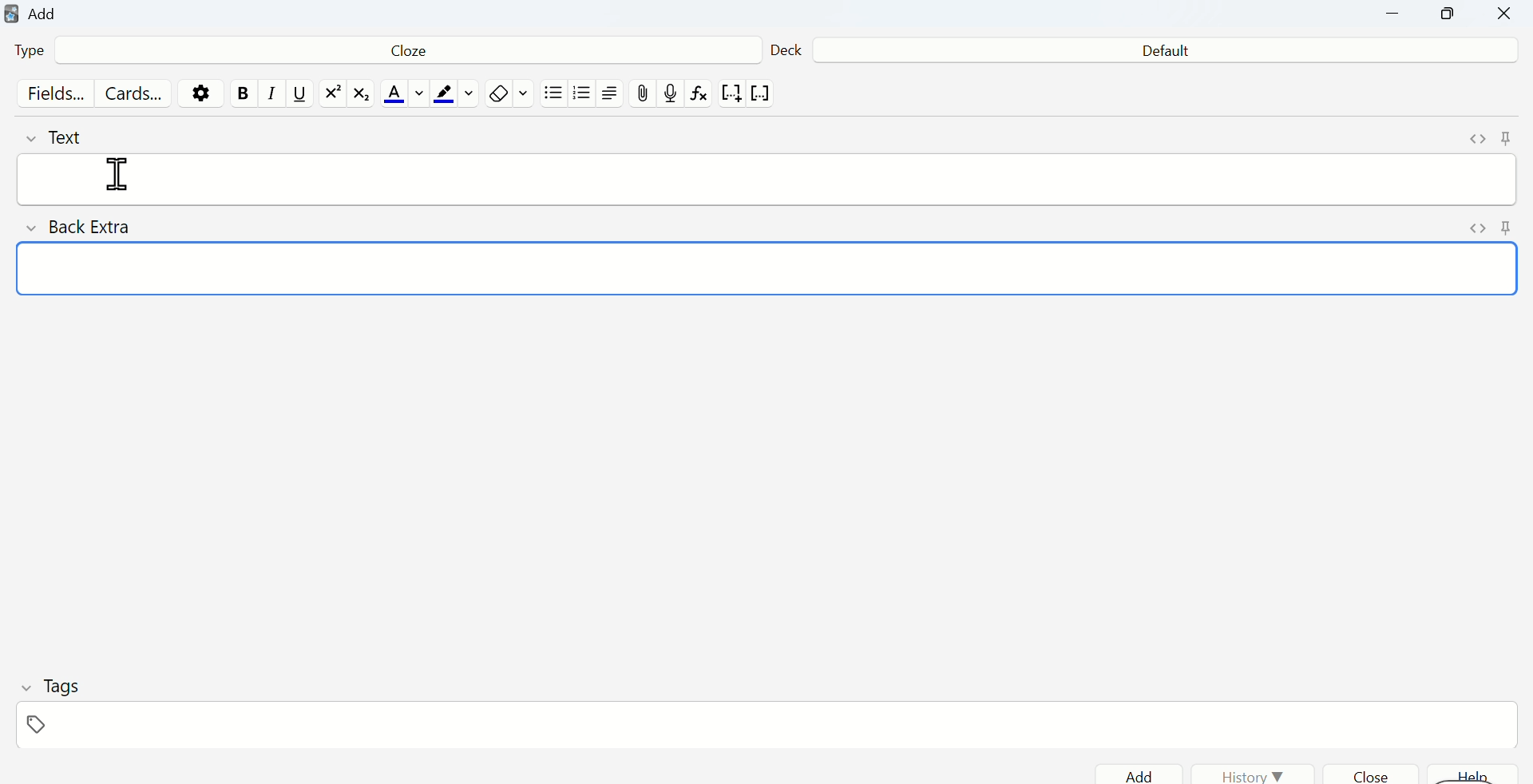 This screenshot has width=1533, height=784. I want to click on vector, so click(763, 94).